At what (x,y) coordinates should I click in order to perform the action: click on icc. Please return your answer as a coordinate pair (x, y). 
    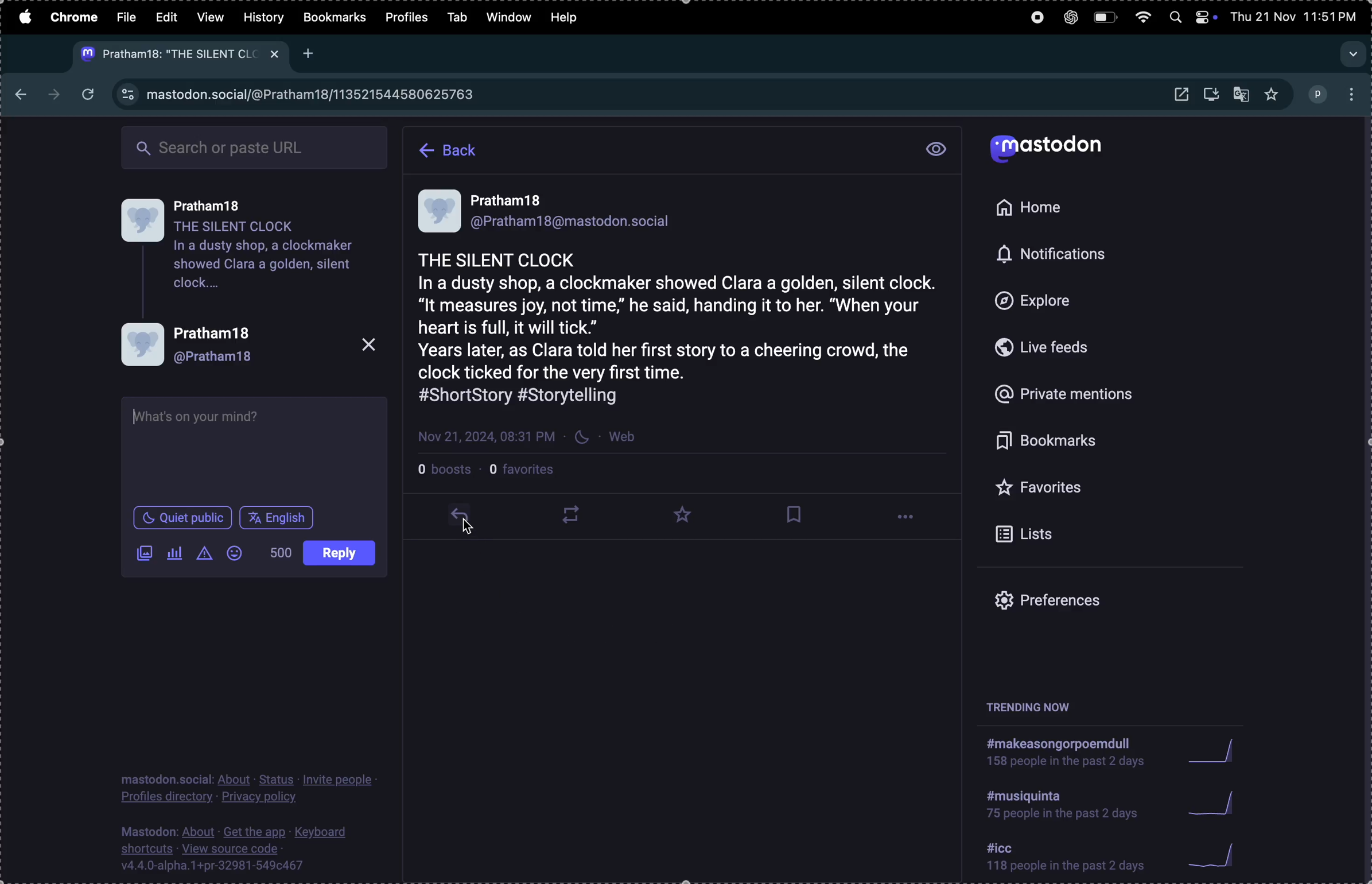
    Looking at the image, I should click on (1067, 859).